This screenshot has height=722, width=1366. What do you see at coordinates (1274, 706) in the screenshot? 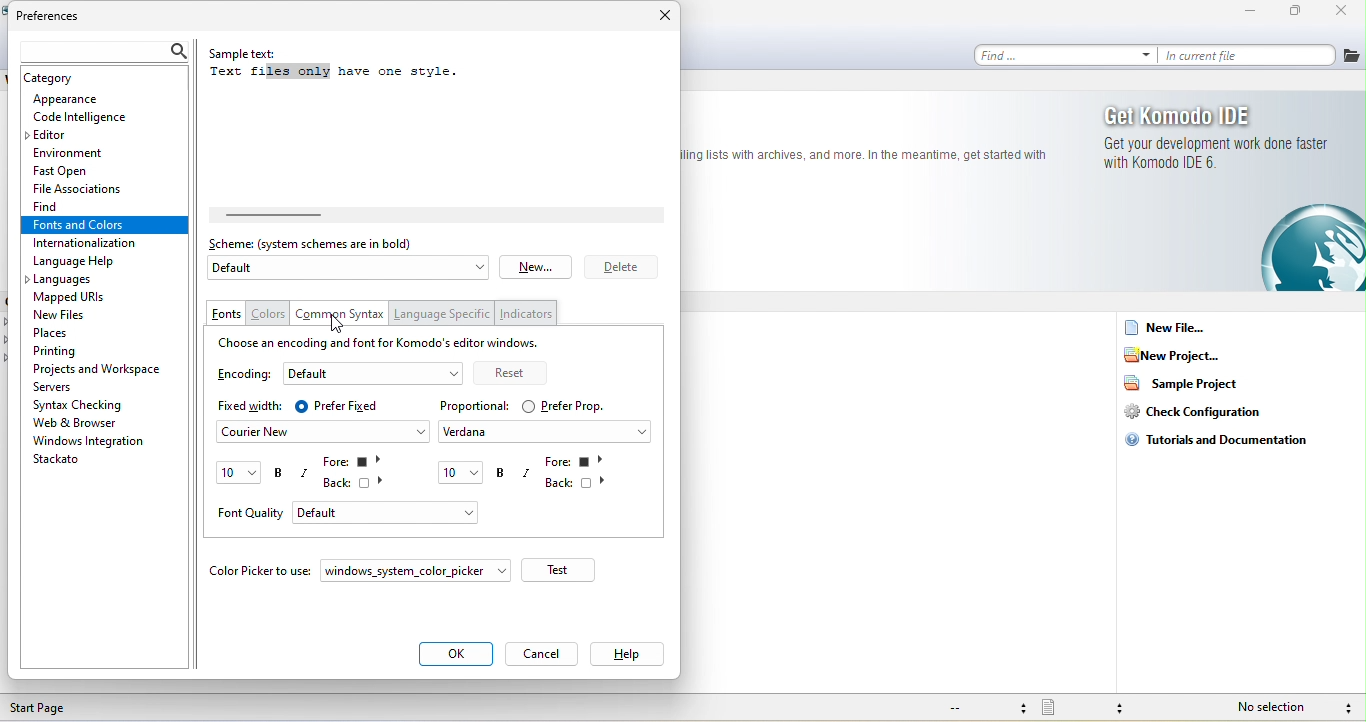
I see `no selection` at bounding box center [1274, 706].